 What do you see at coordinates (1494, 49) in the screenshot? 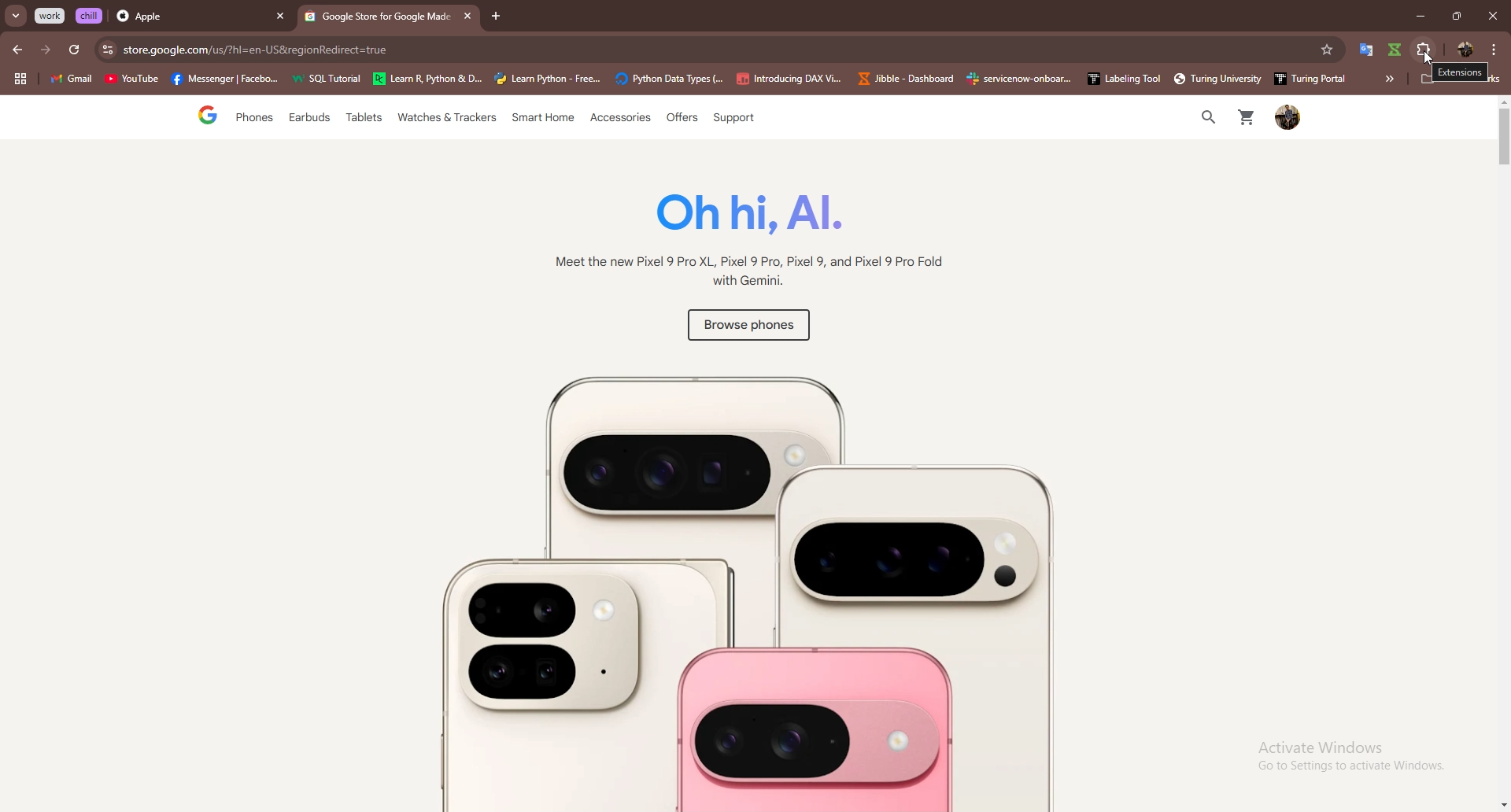
I see `options` at bounding box center [1494, 49].